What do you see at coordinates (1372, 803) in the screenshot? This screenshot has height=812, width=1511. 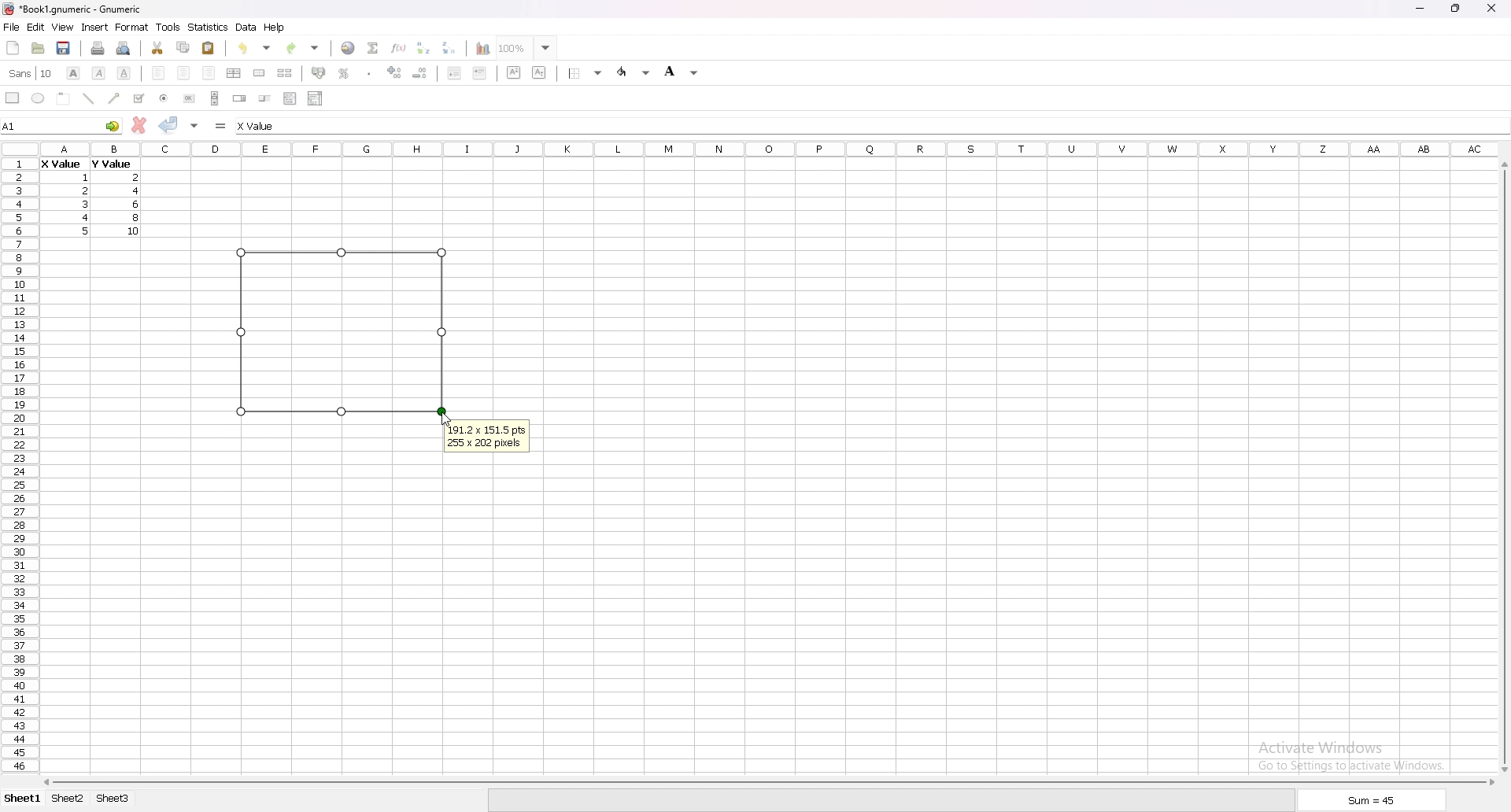 I see `sum` at bounding box center [1372, 803].